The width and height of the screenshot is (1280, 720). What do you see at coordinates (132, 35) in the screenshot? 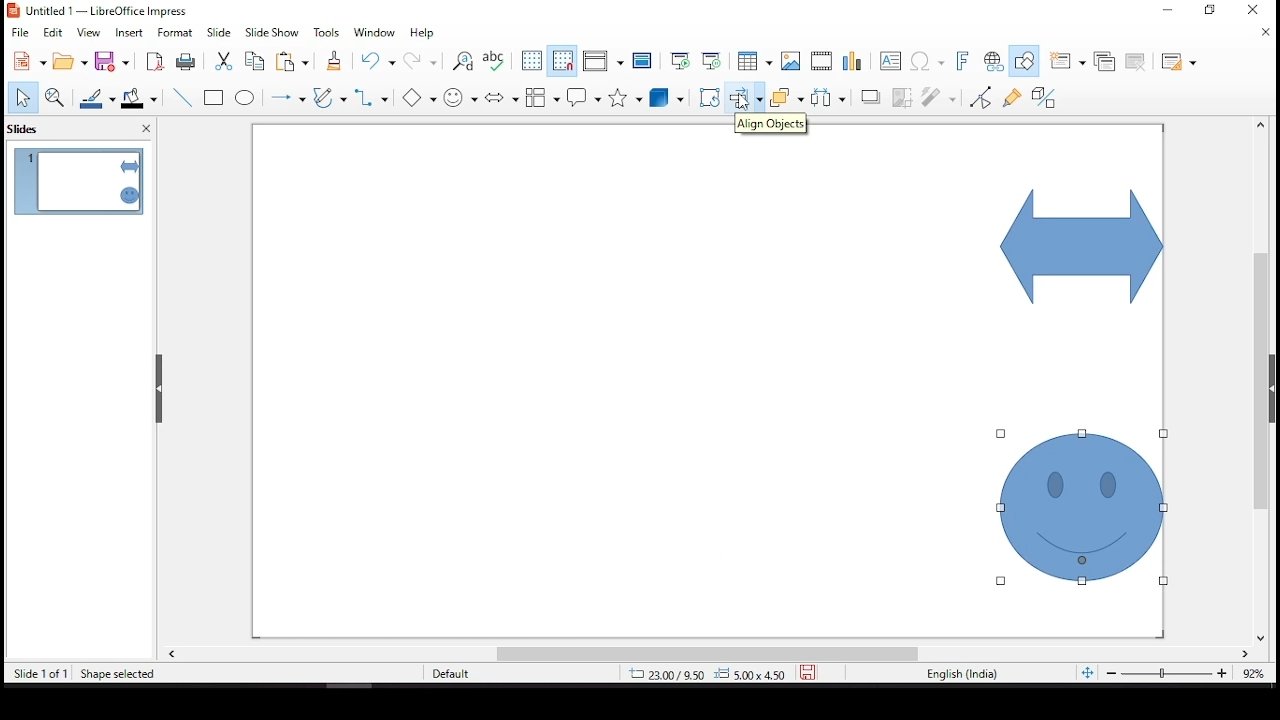
I see `insert` at bounding box center [132, 35].